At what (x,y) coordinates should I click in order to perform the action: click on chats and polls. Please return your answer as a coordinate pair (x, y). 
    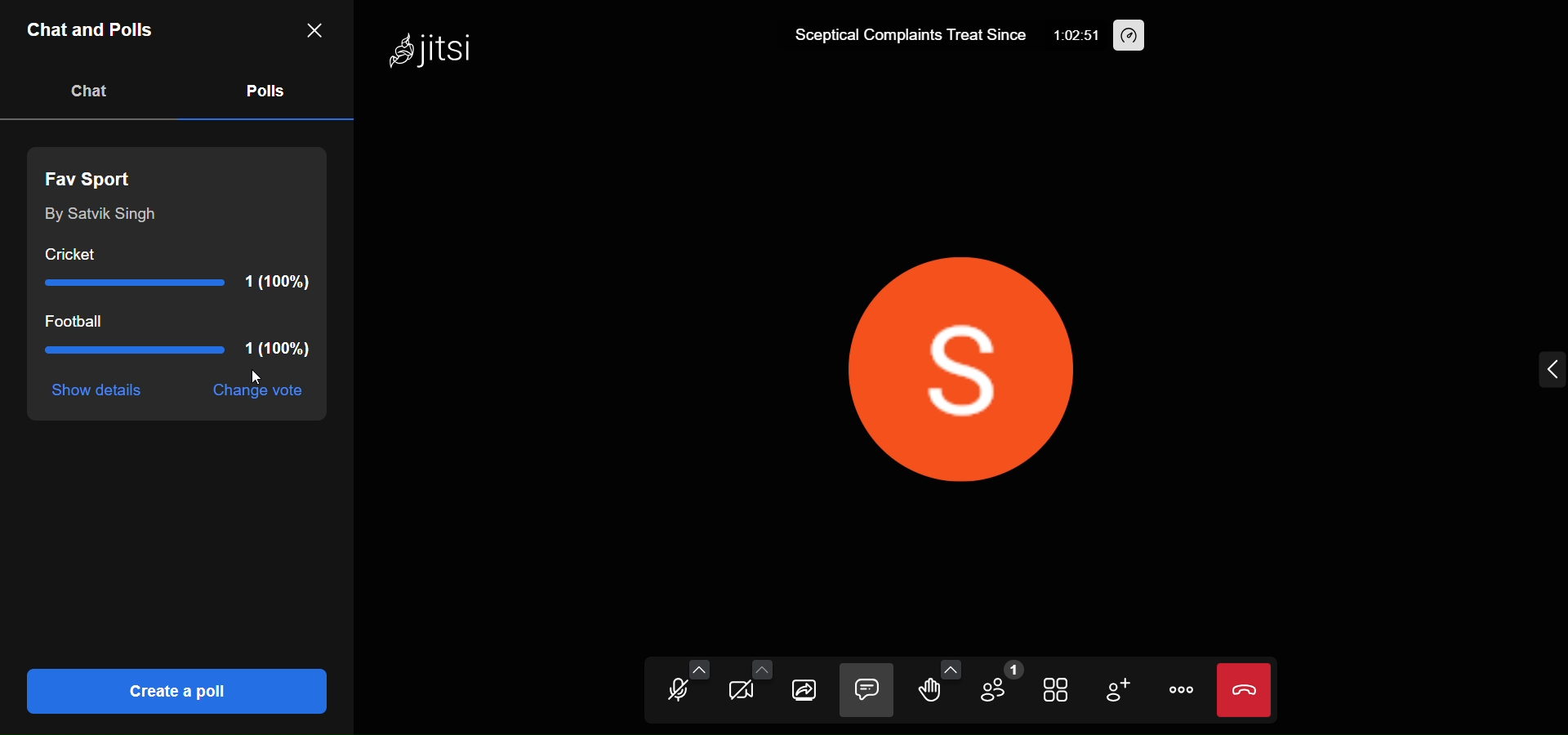
    Looking at the image, I should click on (93, 33).